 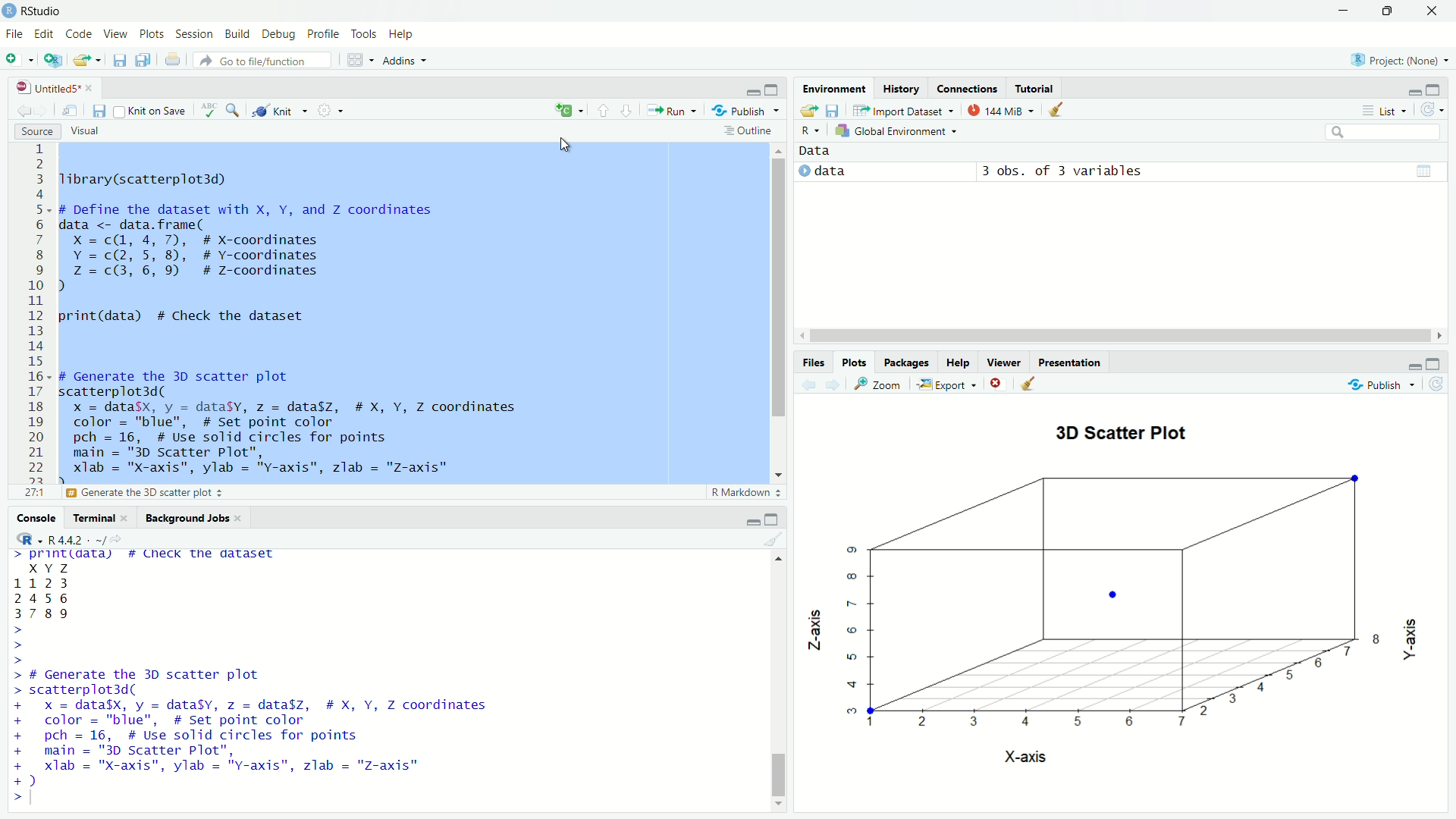 I want to click on publish, so click(x=748, y=110).